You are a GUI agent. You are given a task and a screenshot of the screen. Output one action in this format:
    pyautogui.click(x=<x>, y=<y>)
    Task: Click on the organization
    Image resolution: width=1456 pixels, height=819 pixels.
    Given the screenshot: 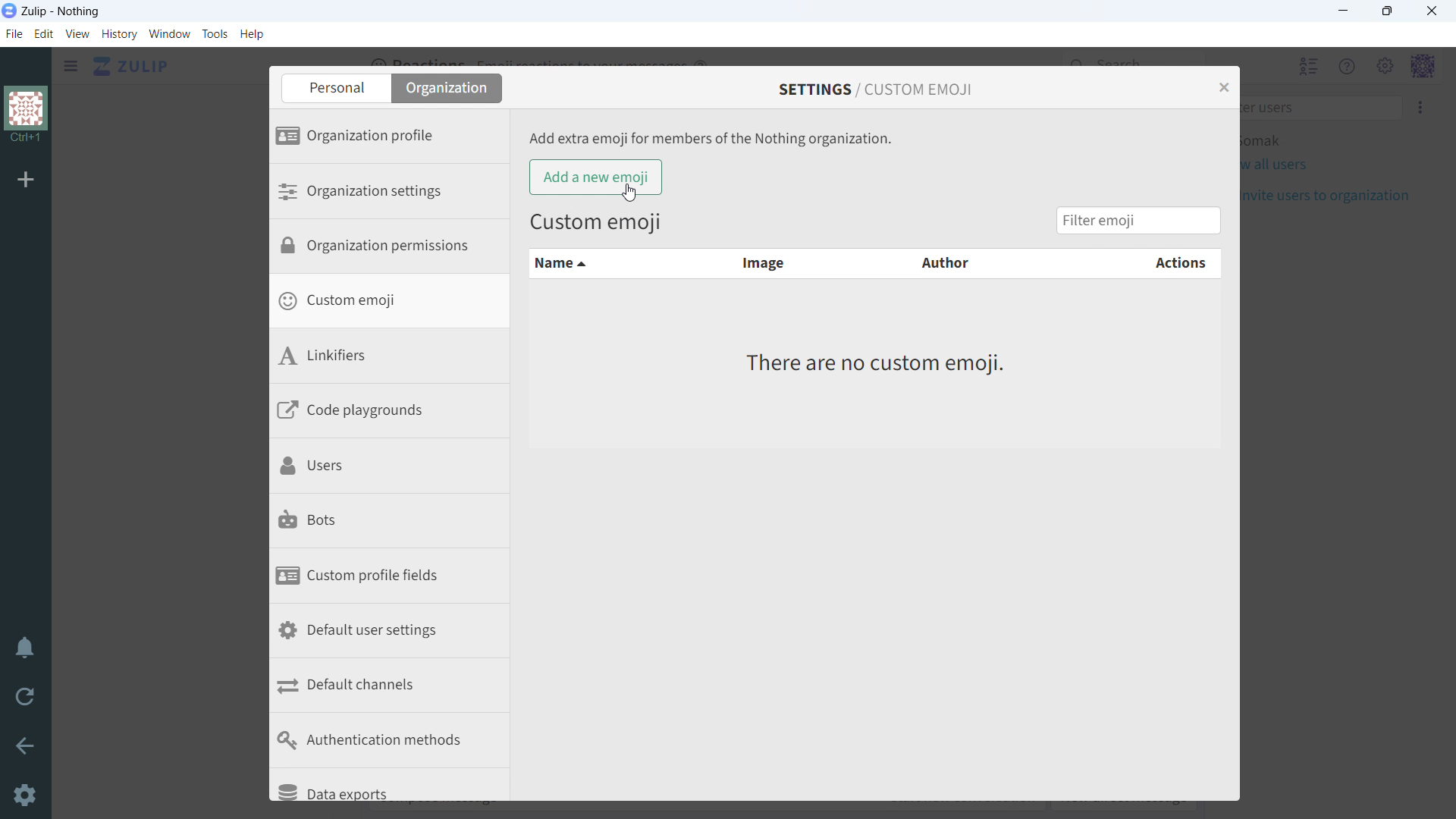 What is the action you would take?
    pyautogui.click(x=448, y=88)
    